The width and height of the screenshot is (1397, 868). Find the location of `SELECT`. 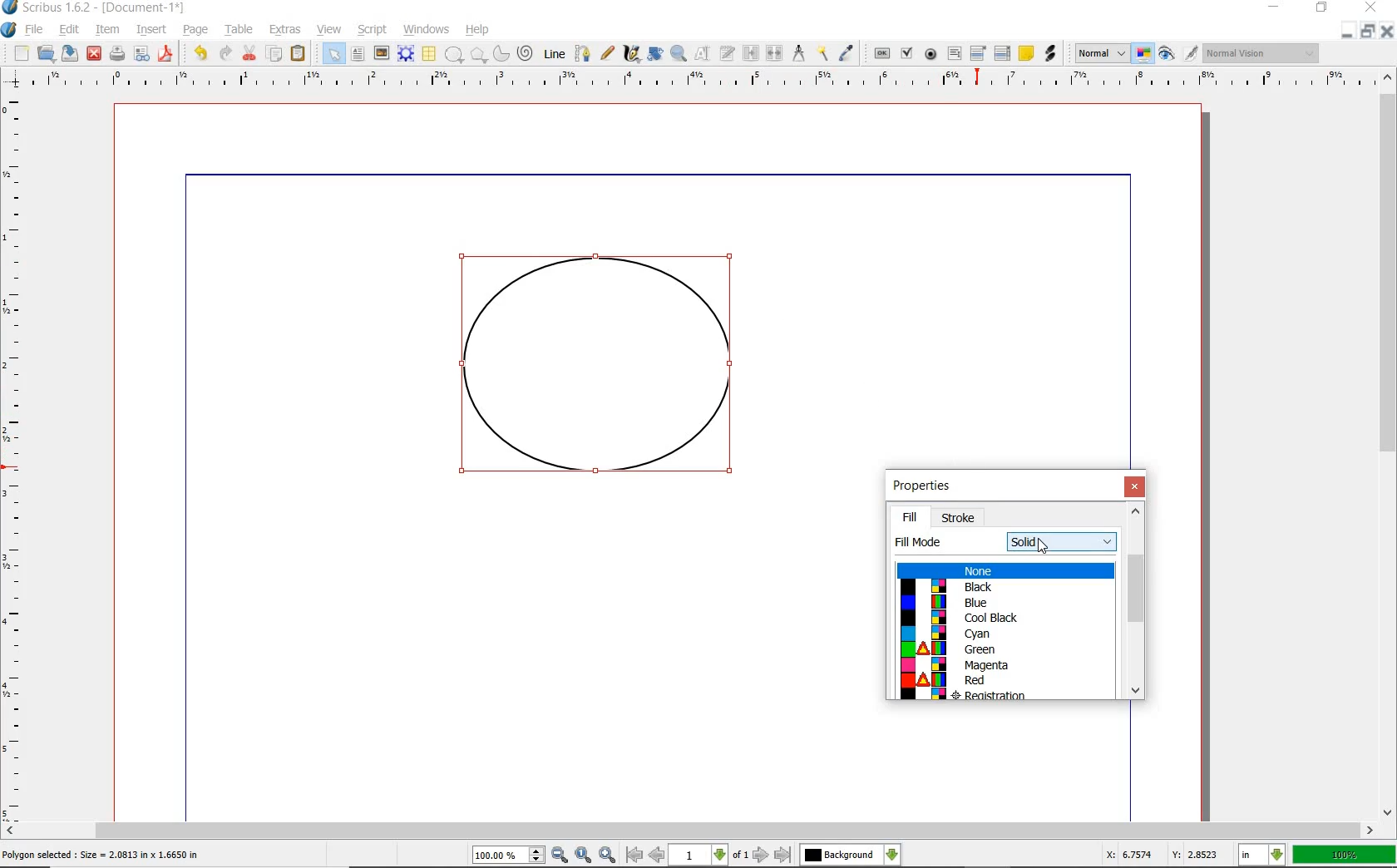

SELECT is located at coordinates (333, 55).